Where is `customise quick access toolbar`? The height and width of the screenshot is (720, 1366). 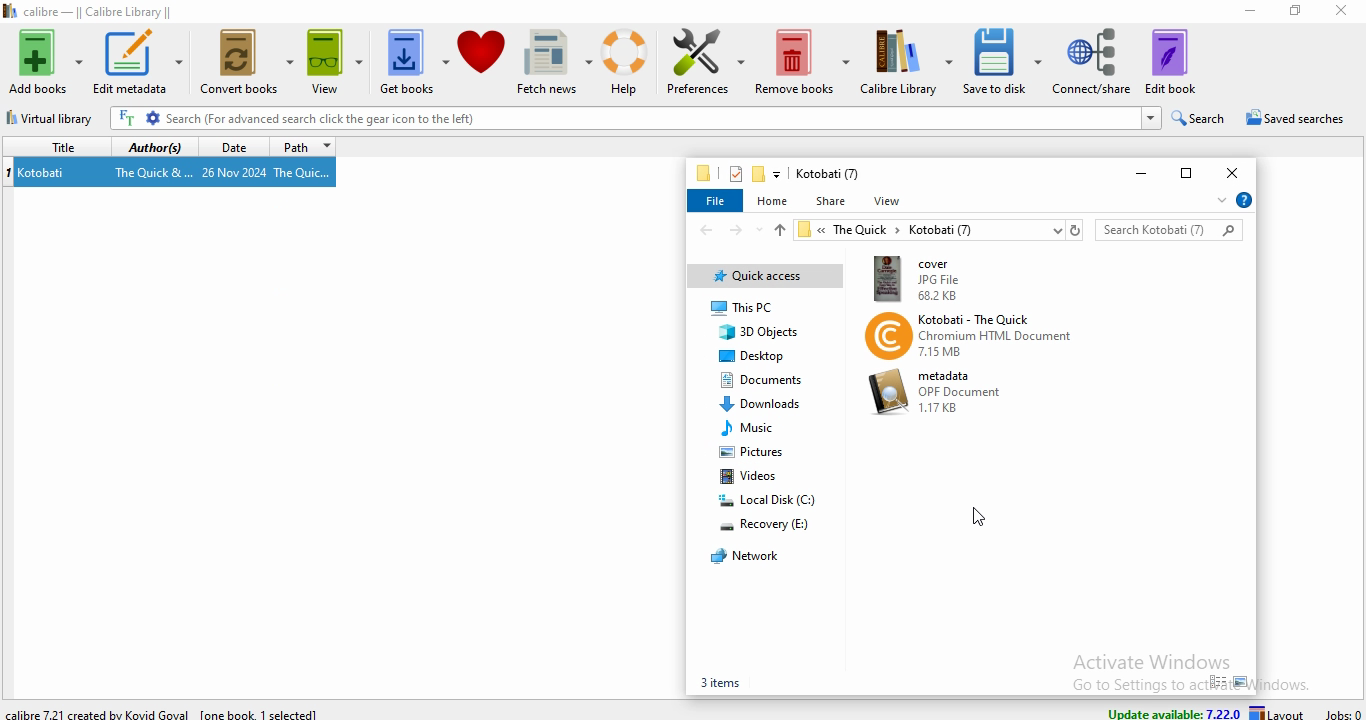
customise quick access toolbar is located at coordinates (778, 174).